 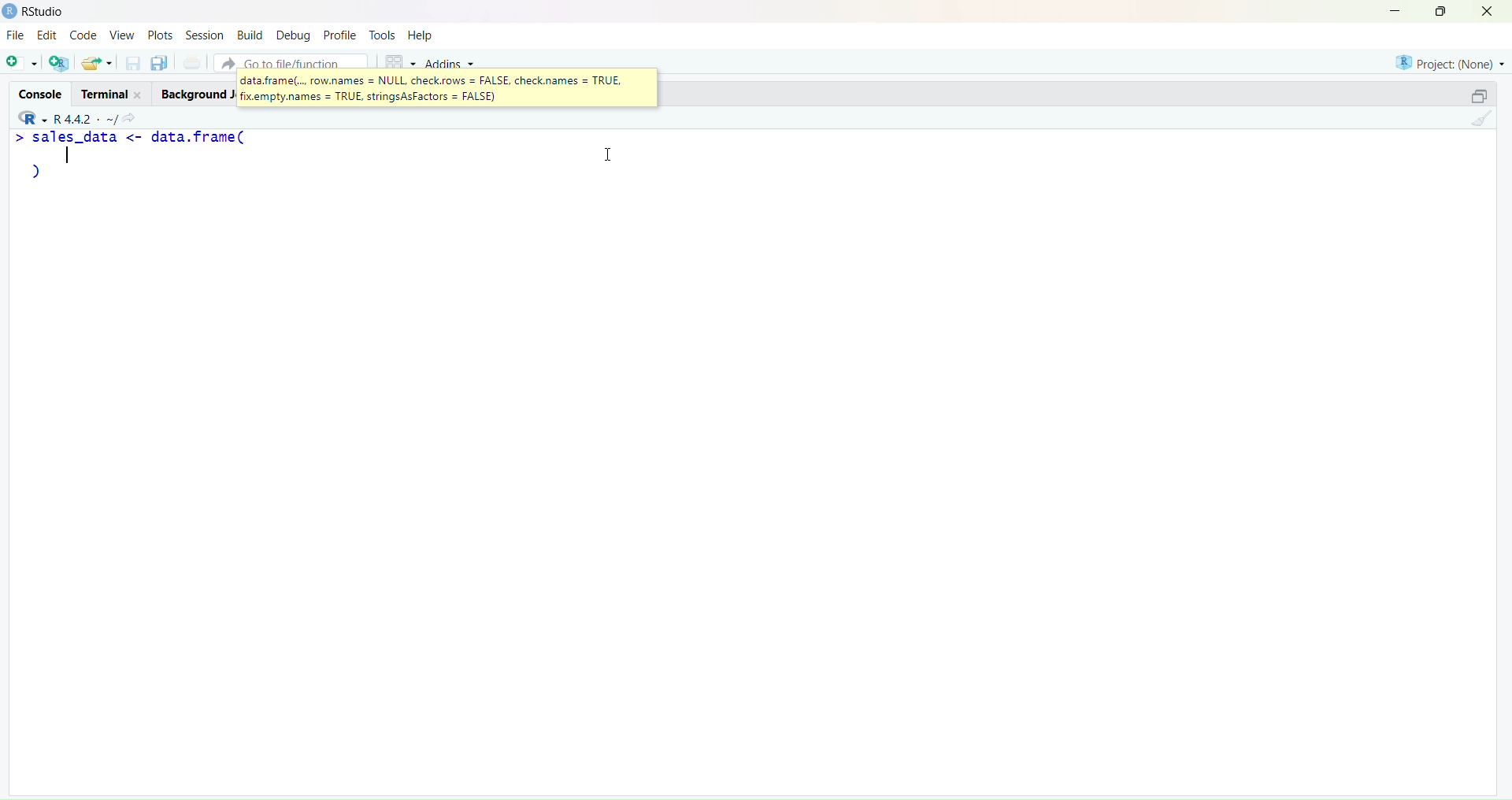 I want to click on save as, so click(x=159, y=64).